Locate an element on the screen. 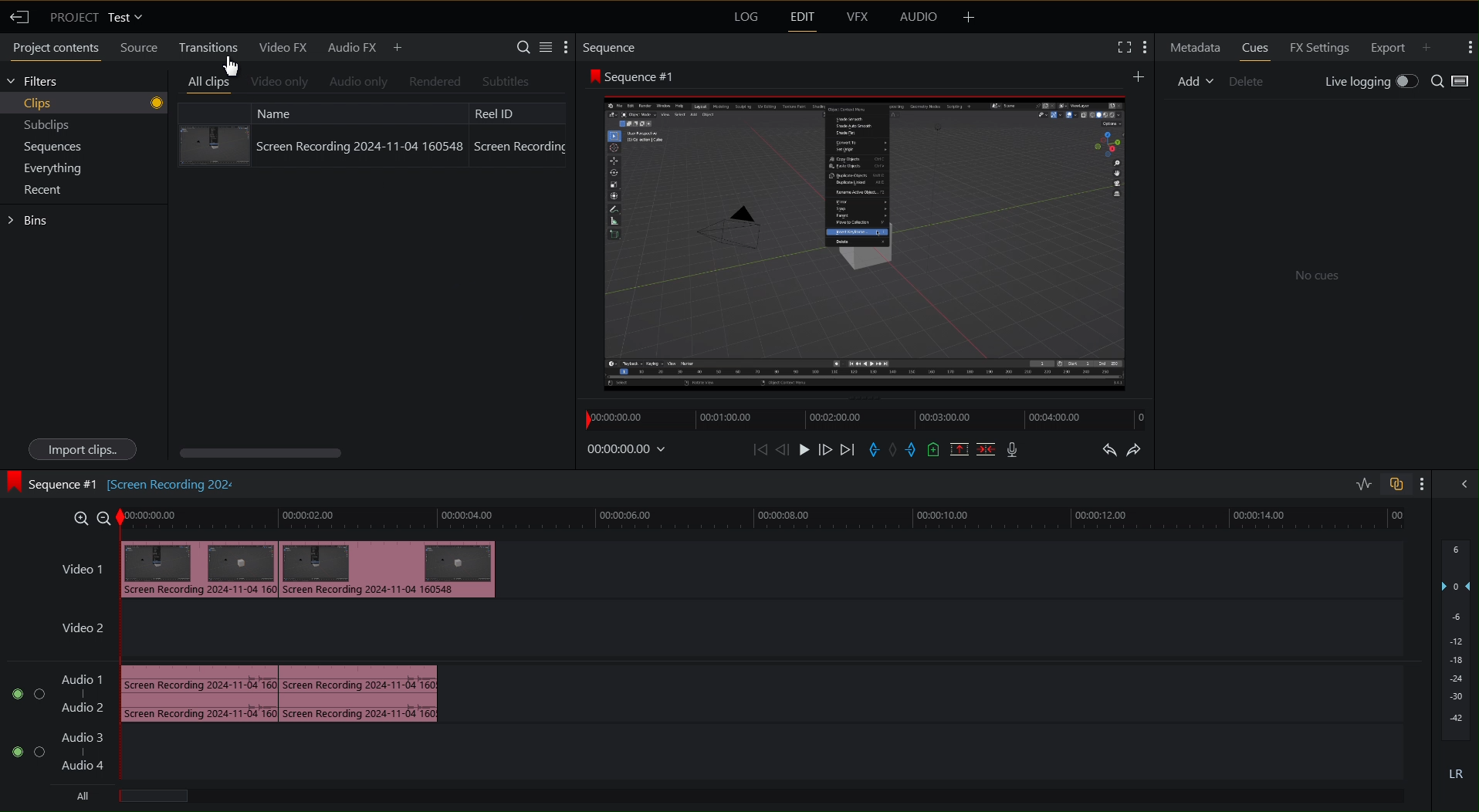  Remove Marker is located at coordinates (895, 450).